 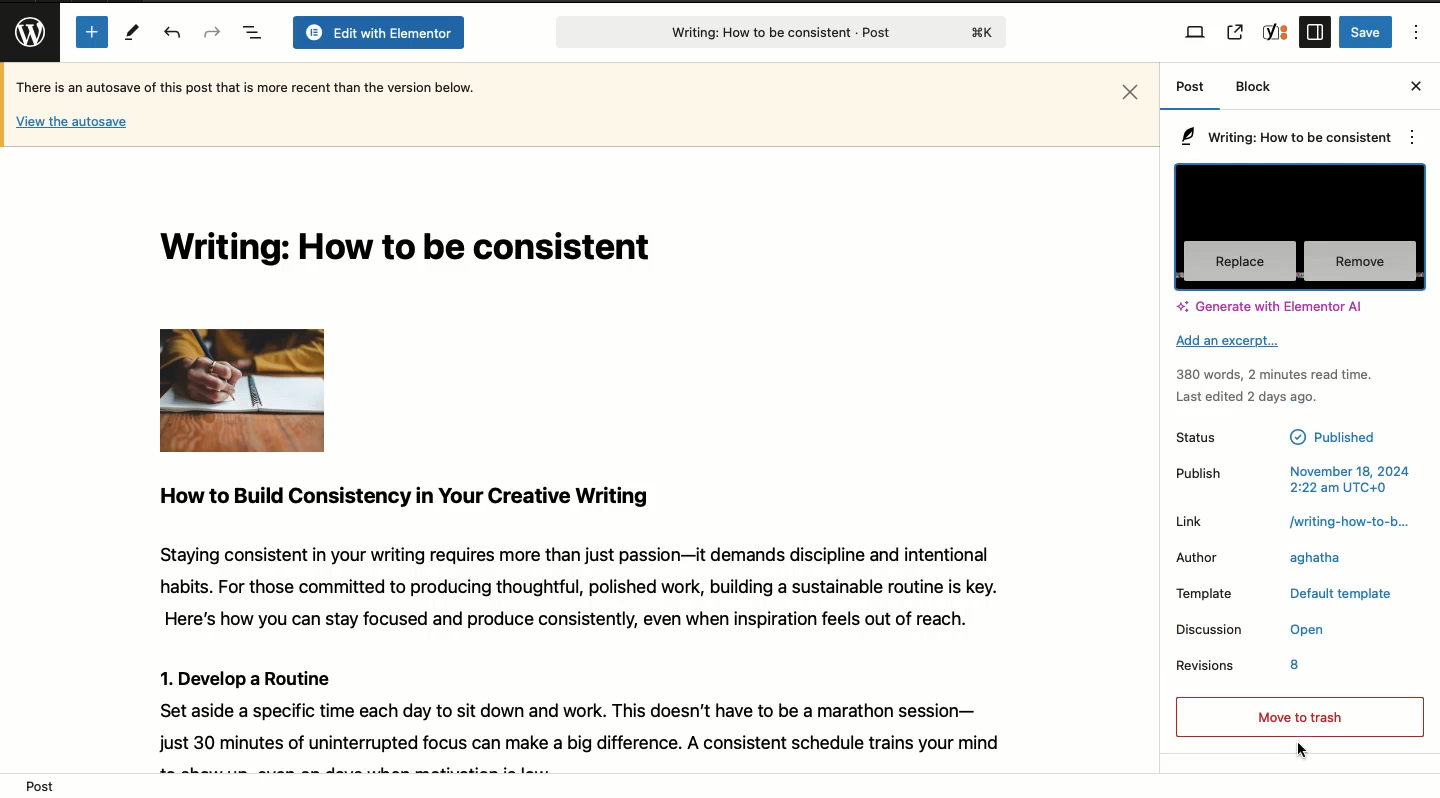 I want to click on Options, so click(x=1409, y=136).